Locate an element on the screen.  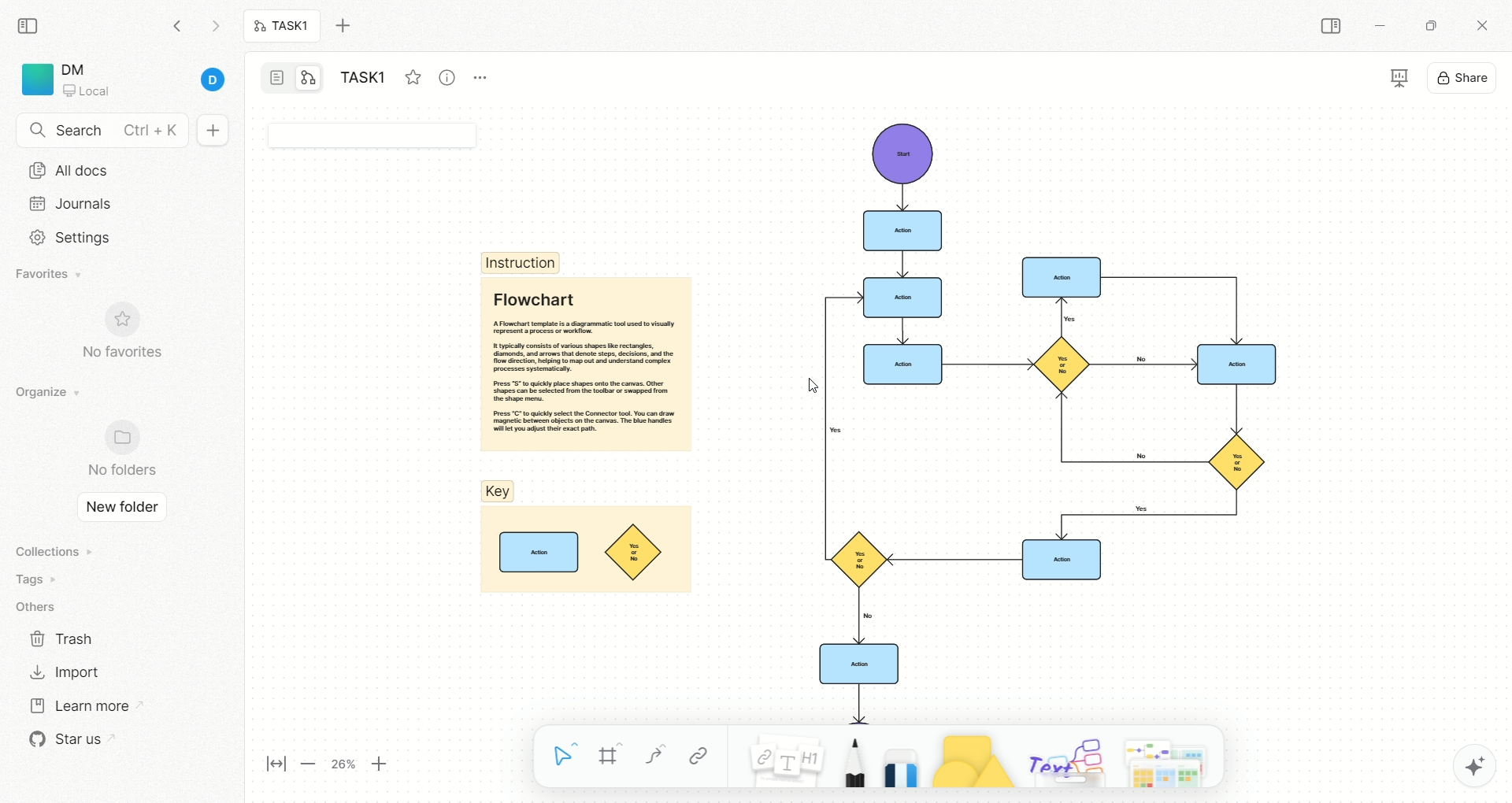
logo is located at coordinates (35, 80).